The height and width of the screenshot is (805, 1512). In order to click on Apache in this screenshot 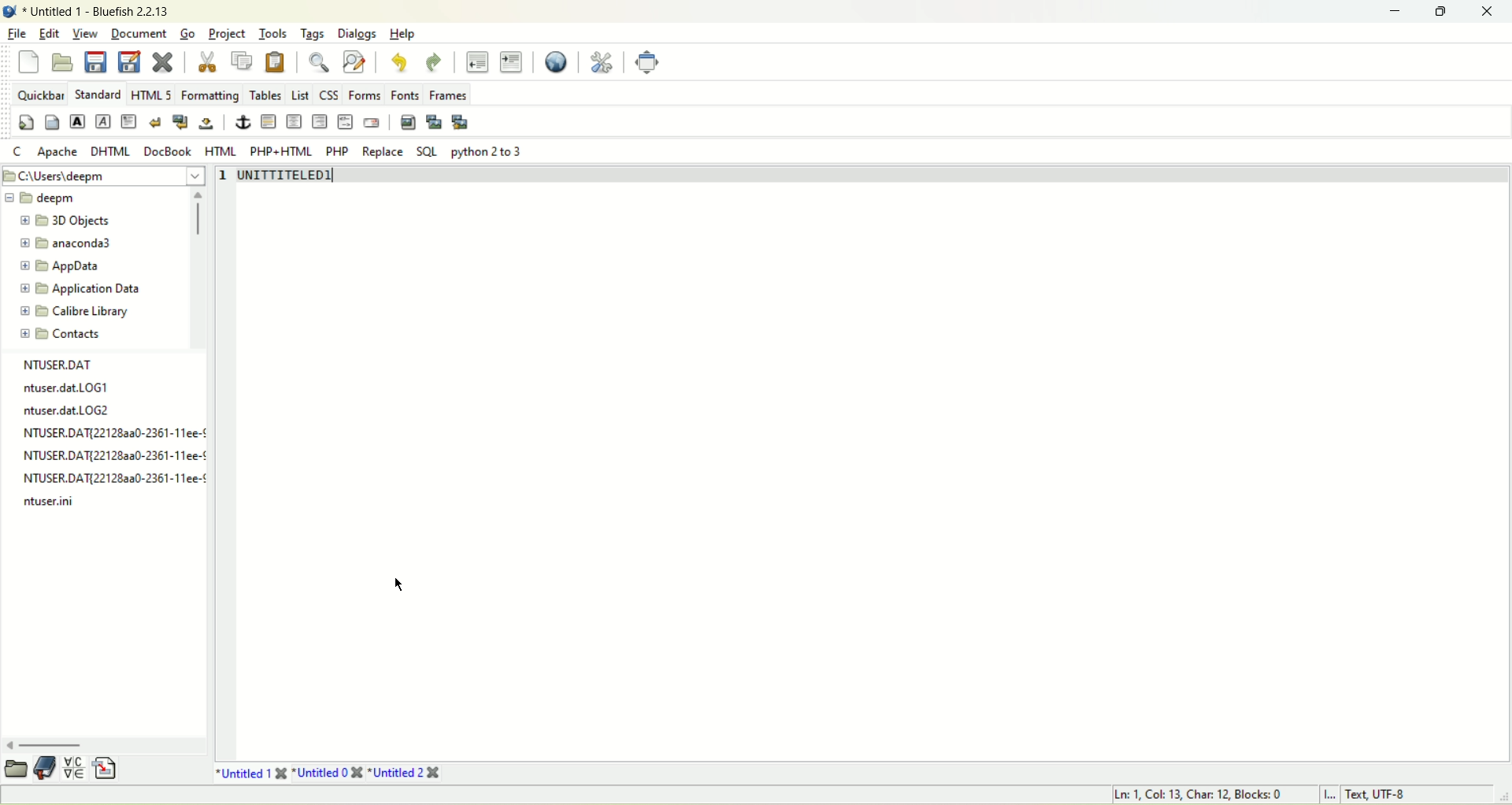, I will do `click(57, 154)`.